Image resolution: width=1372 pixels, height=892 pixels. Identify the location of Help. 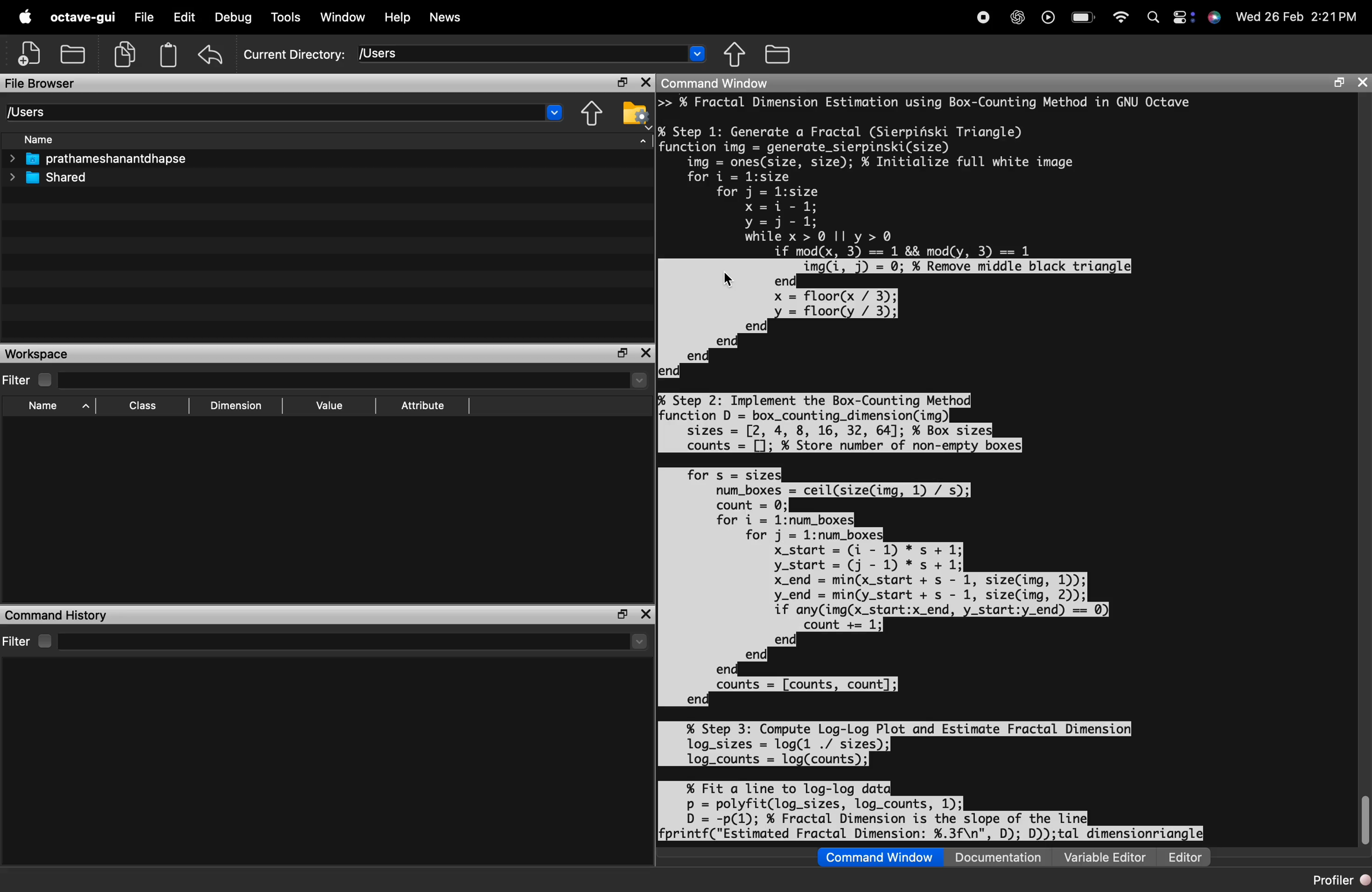
(399, 17).